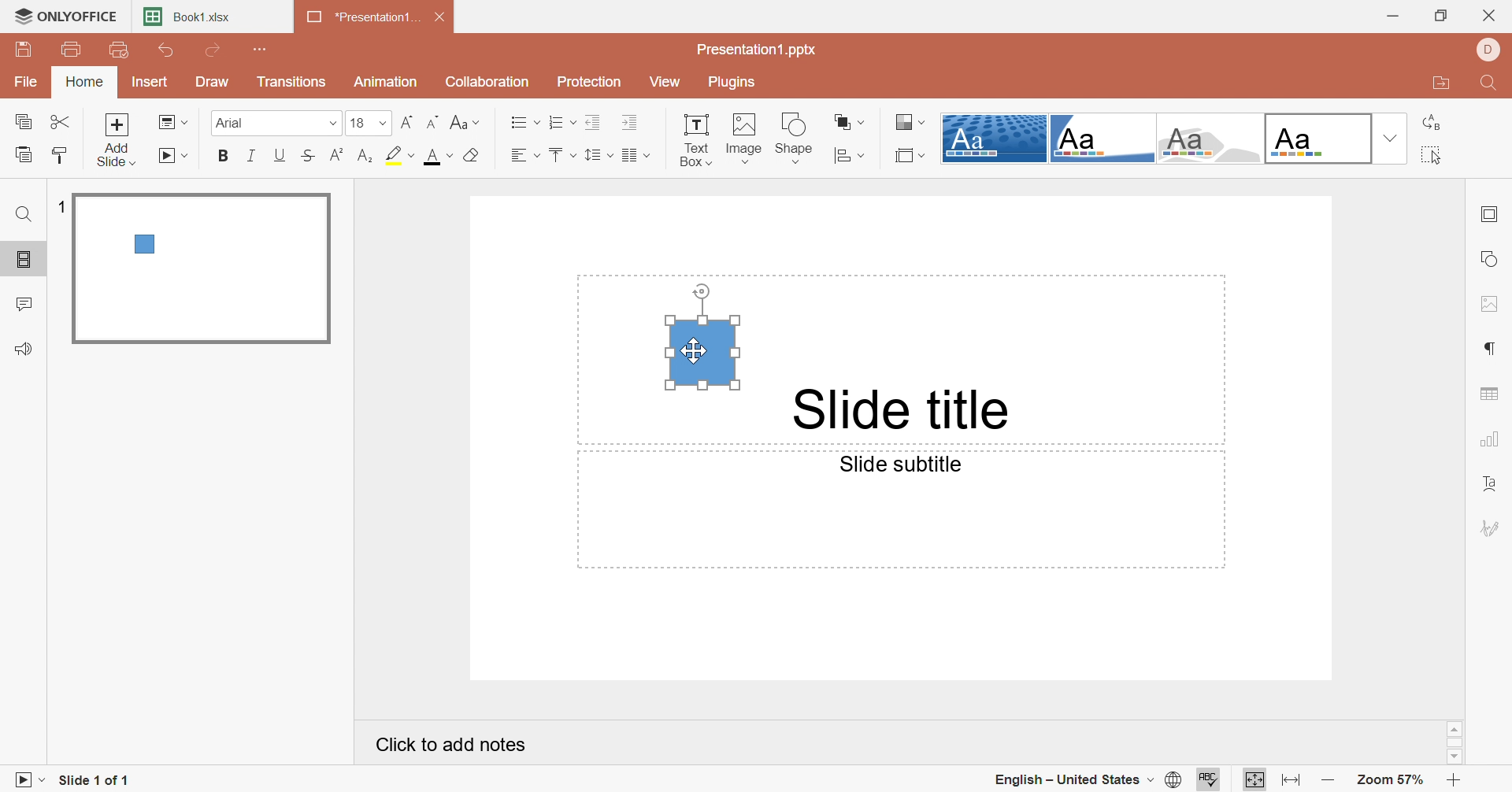 This screenshot has height=792, width=1512. I want to click on Undo, so click(166, 54).